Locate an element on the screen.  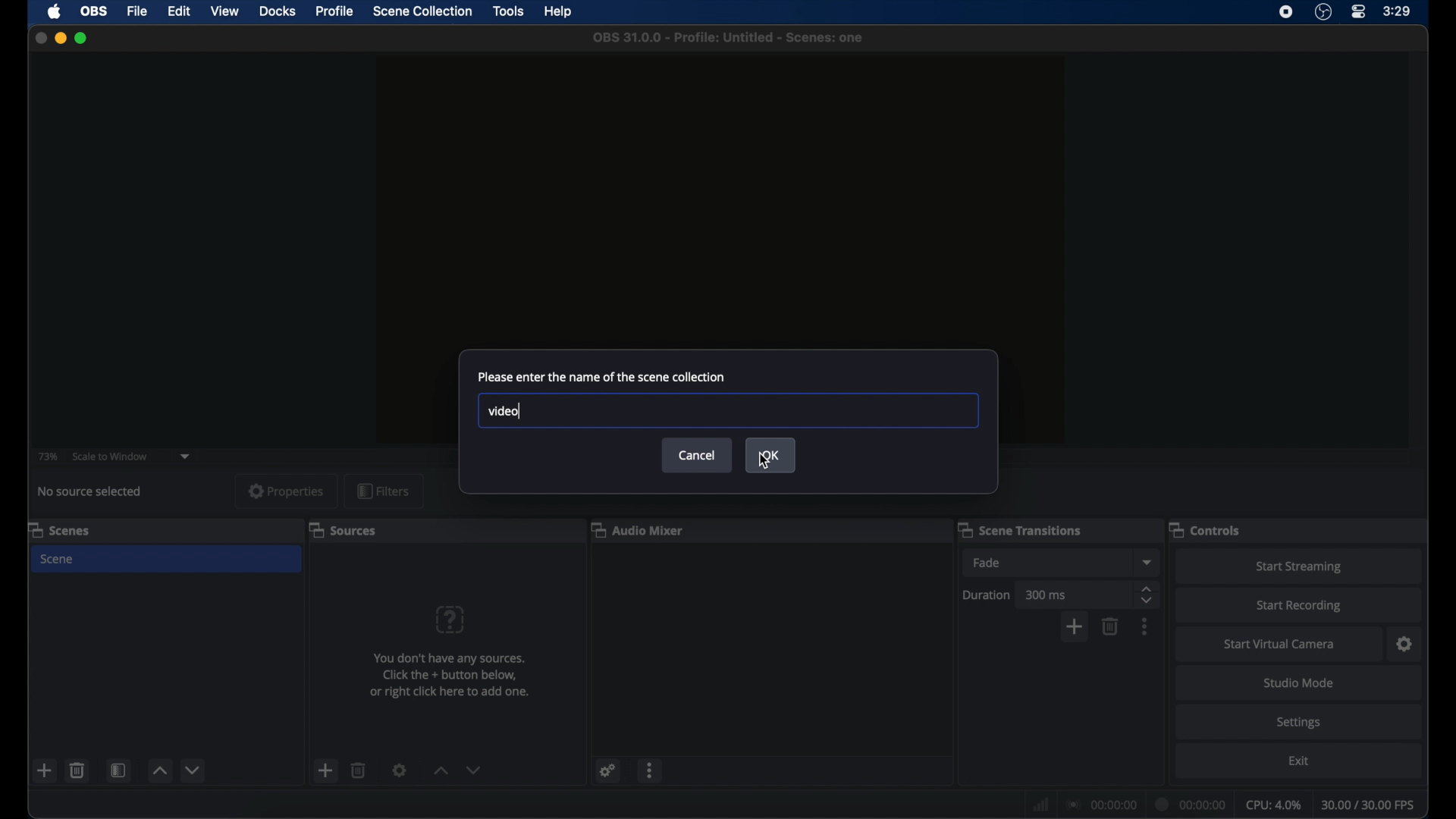
open scene filter is located at coordinates (117, 770).